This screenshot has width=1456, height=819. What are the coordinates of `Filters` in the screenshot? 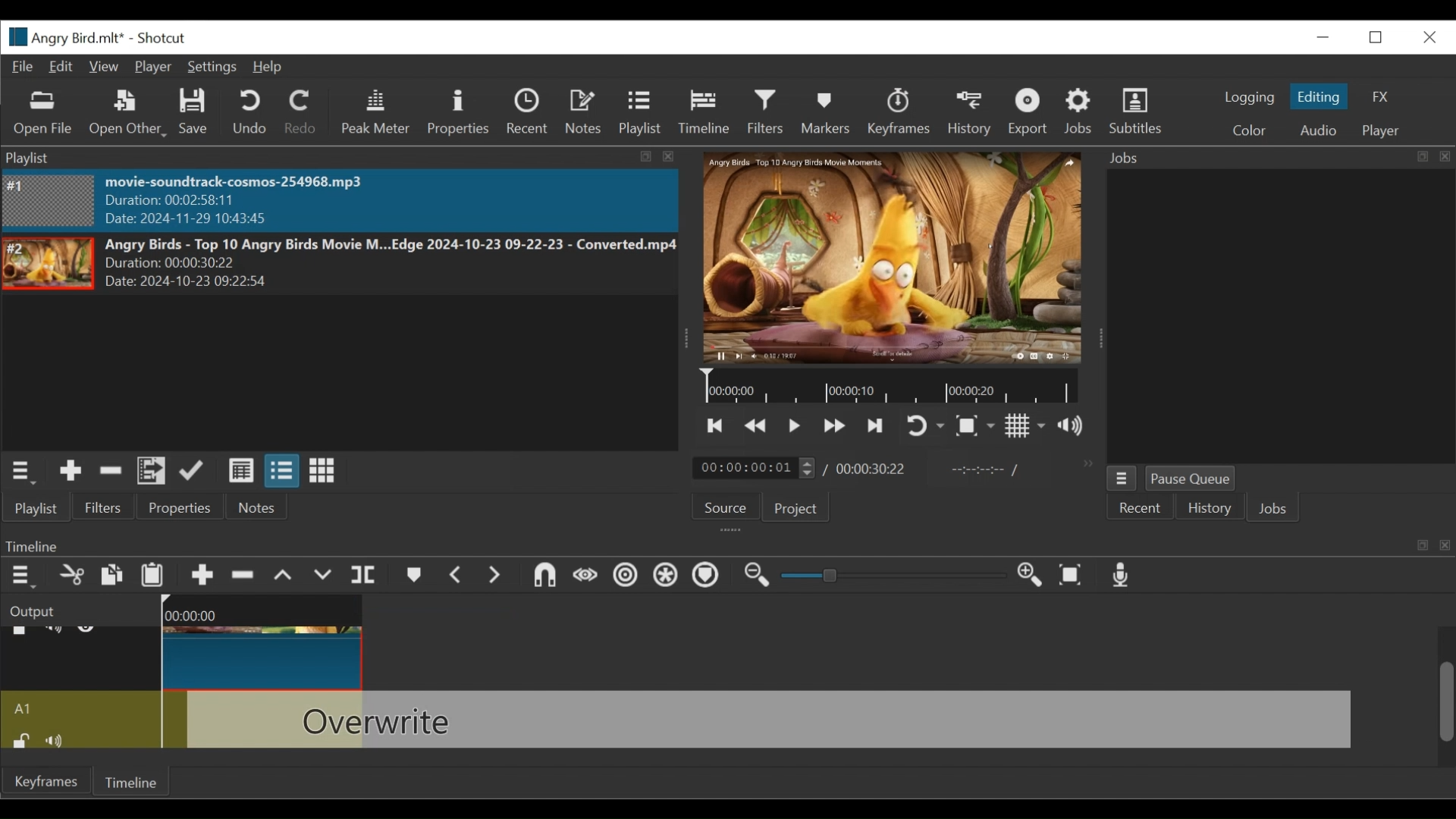 It's located at (767, 114).